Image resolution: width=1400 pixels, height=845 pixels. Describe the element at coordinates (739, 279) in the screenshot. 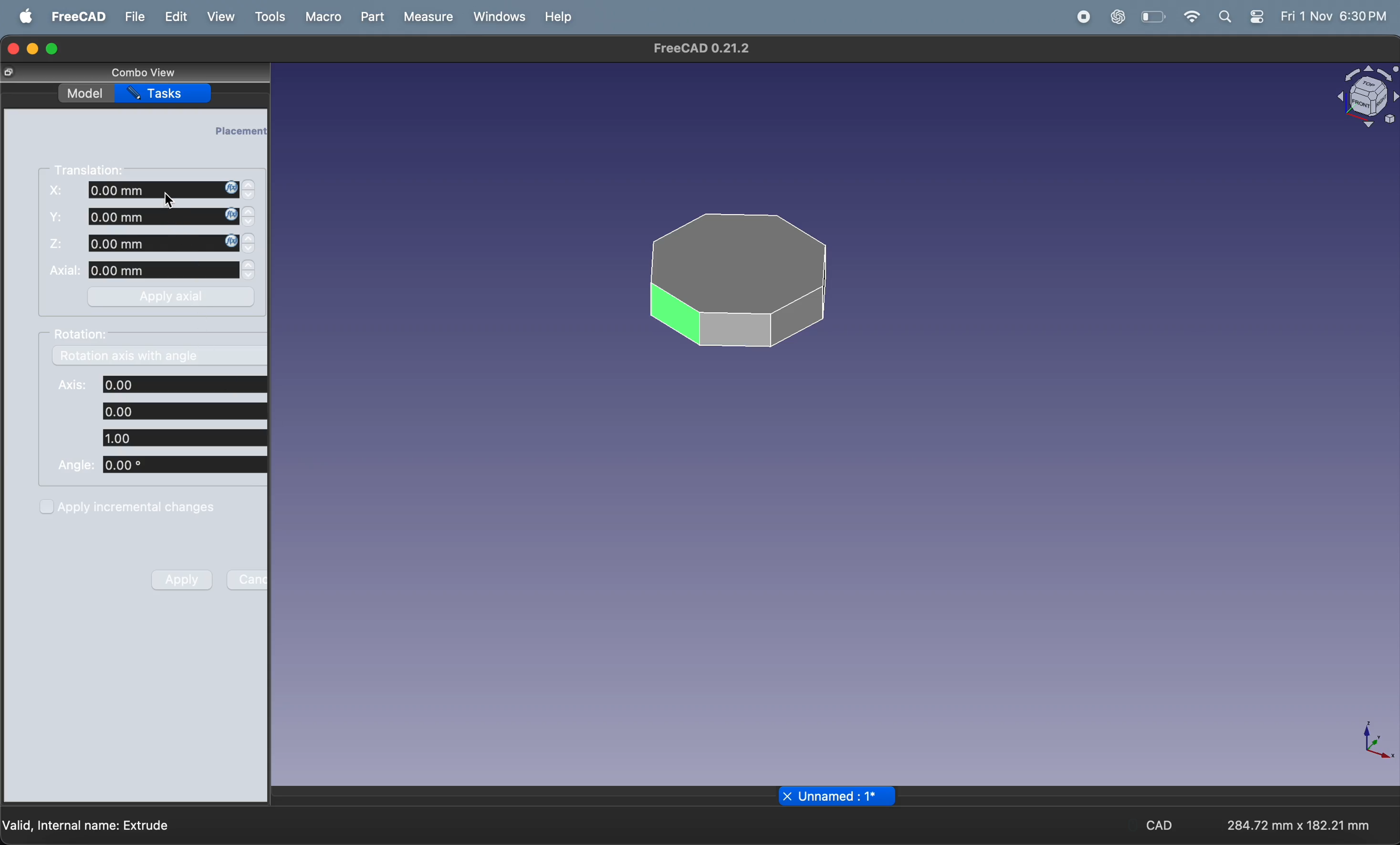

I see `3D polygon` at that location.